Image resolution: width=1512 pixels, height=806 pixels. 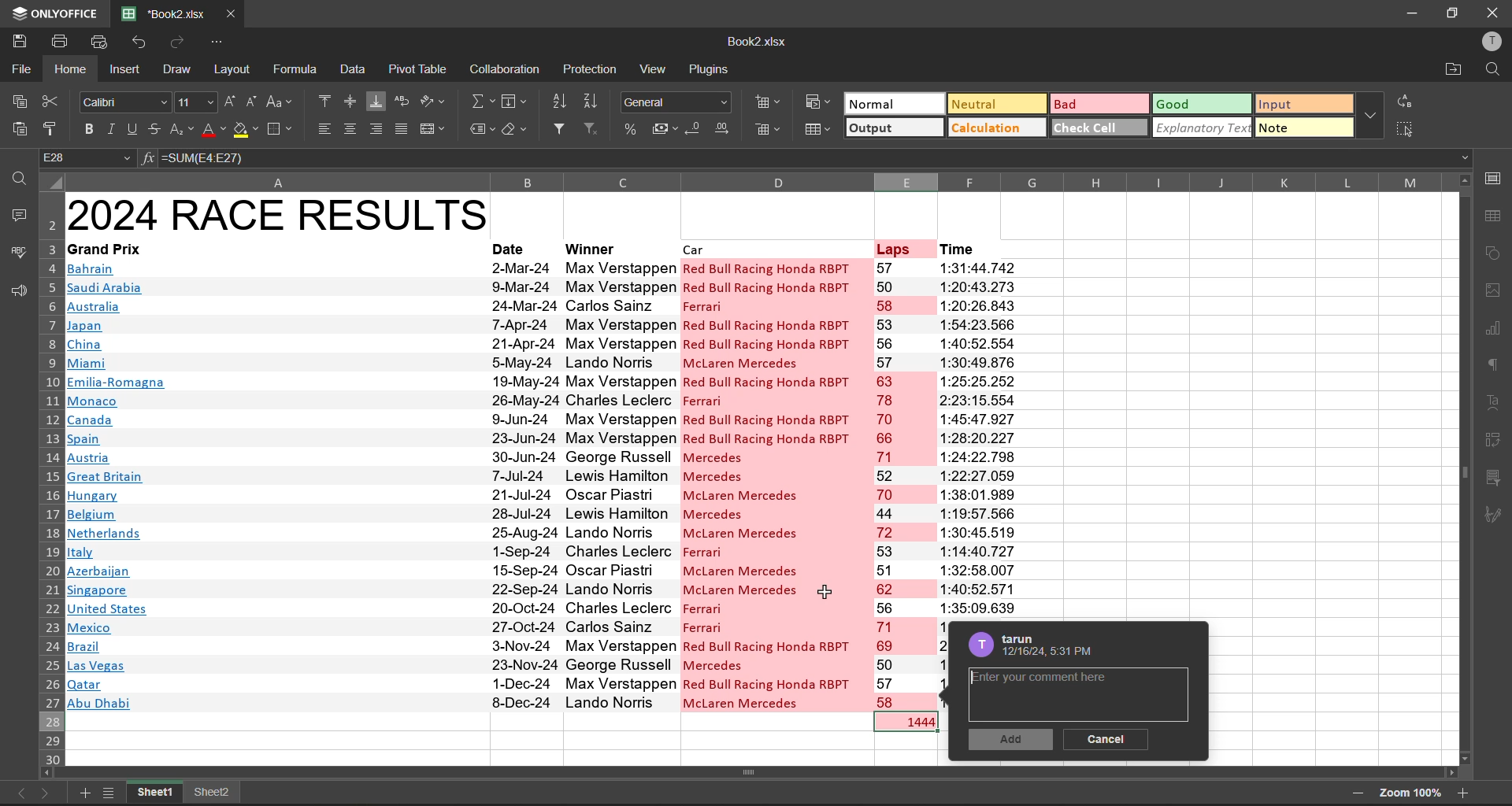 What do you see at coordinates (662, 128) in the screenshot?
I see `accounting` at bounding box center [662, 128].